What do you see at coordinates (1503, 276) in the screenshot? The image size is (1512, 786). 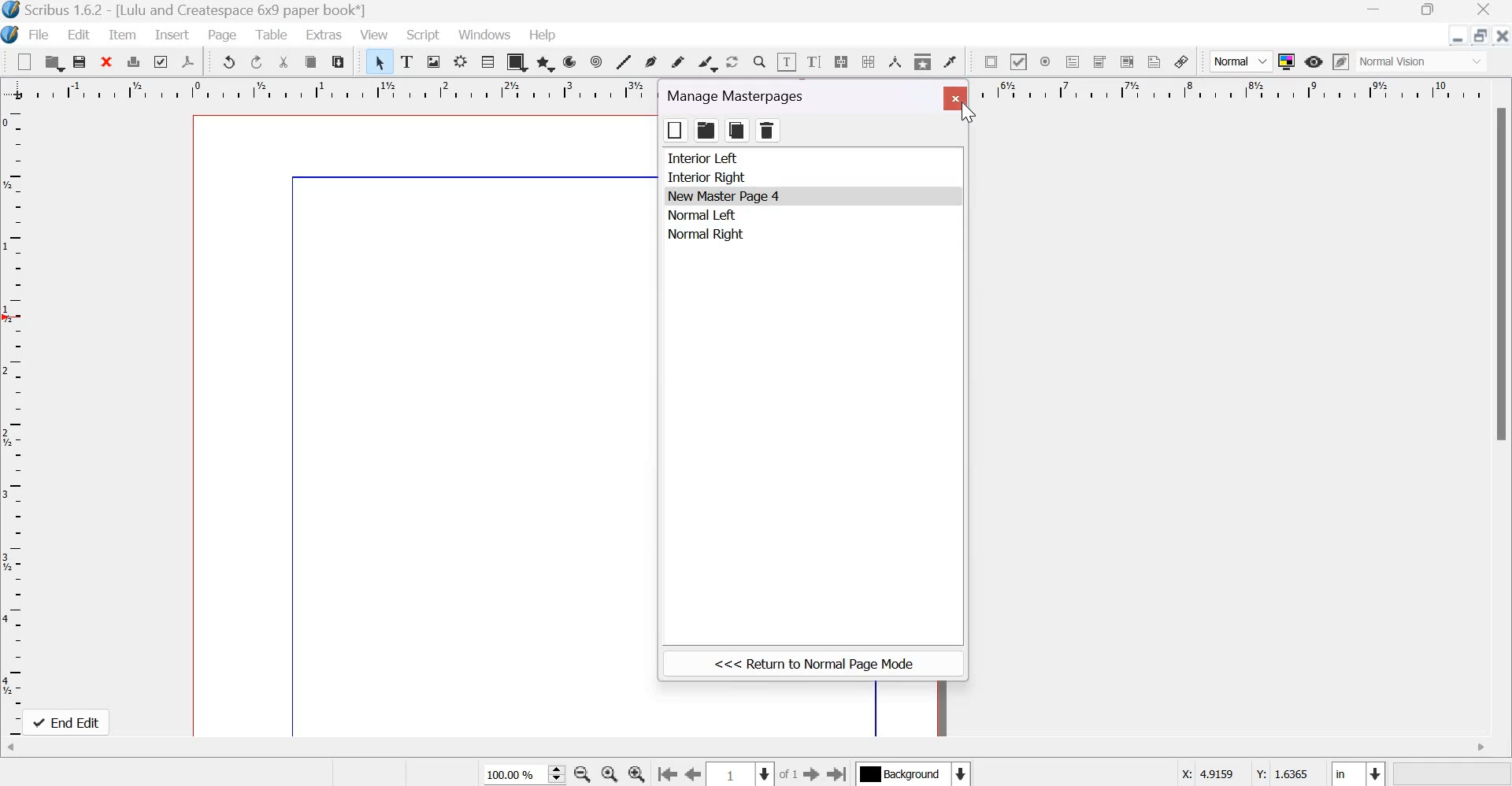 I see `scroll bar` at bounding box center [1503, 276].